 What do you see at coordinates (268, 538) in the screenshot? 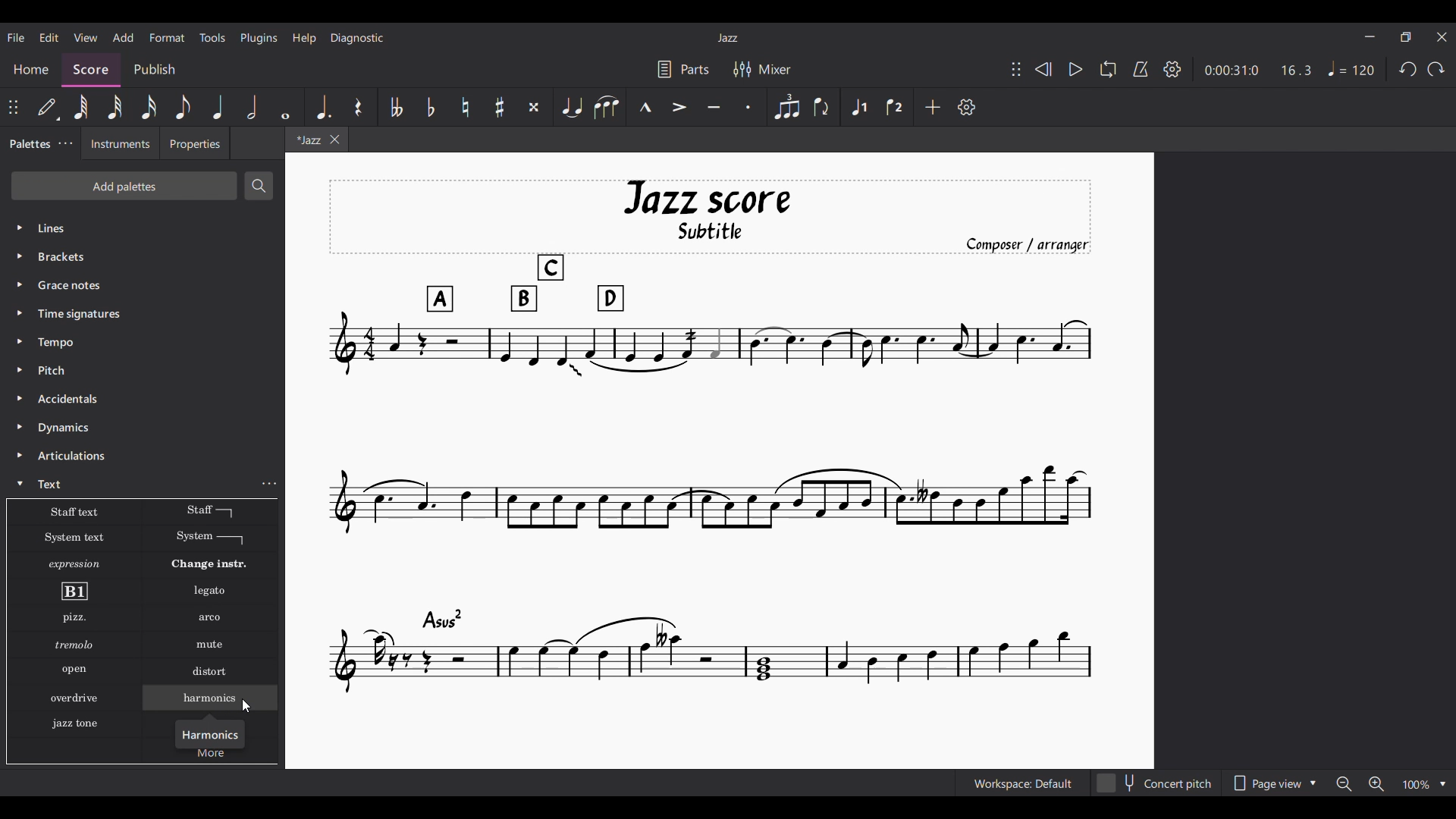
I see `Text settings` at bounding box center [268, 538].